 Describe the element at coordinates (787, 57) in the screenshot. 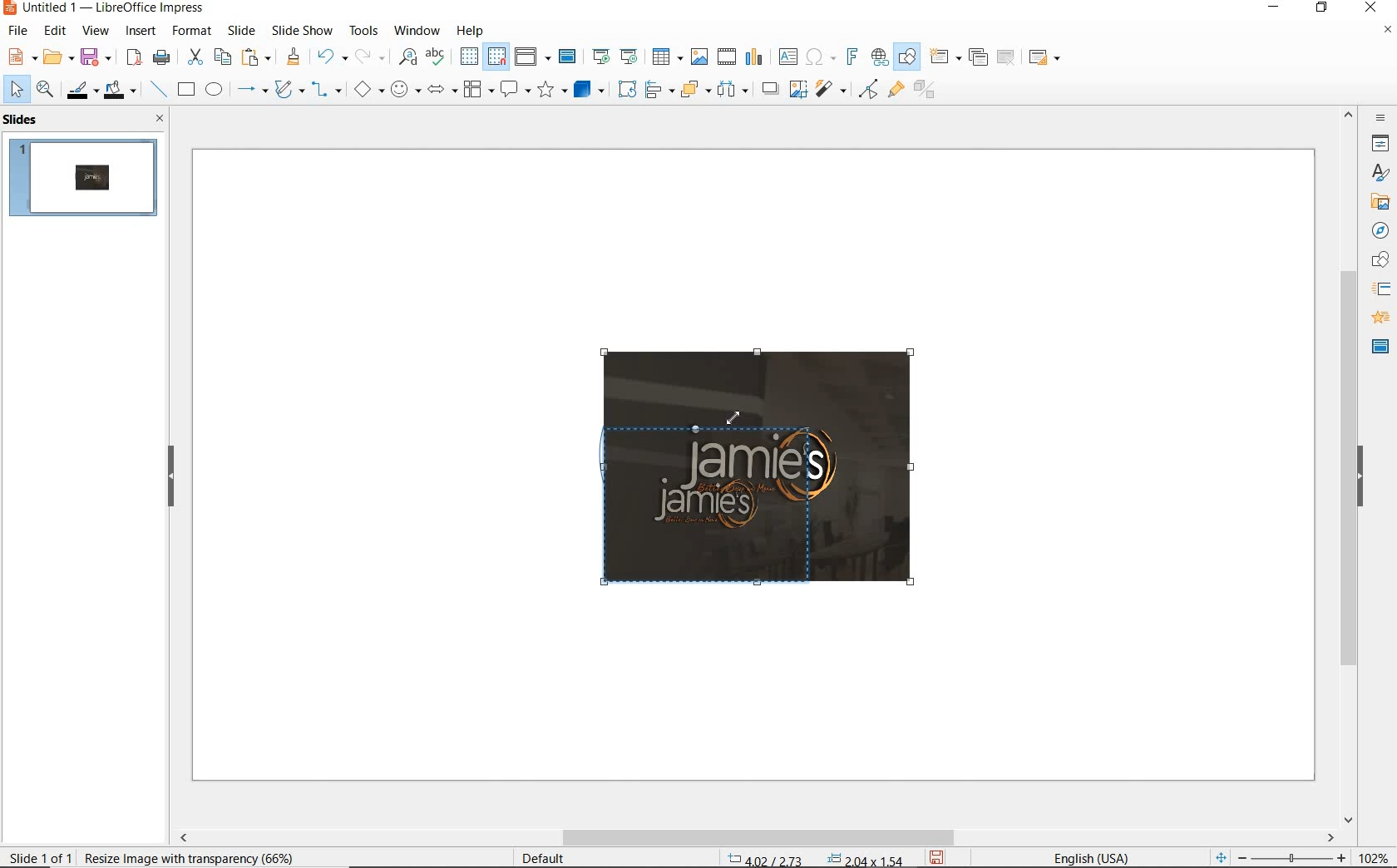

I see `insert text box` at that location.